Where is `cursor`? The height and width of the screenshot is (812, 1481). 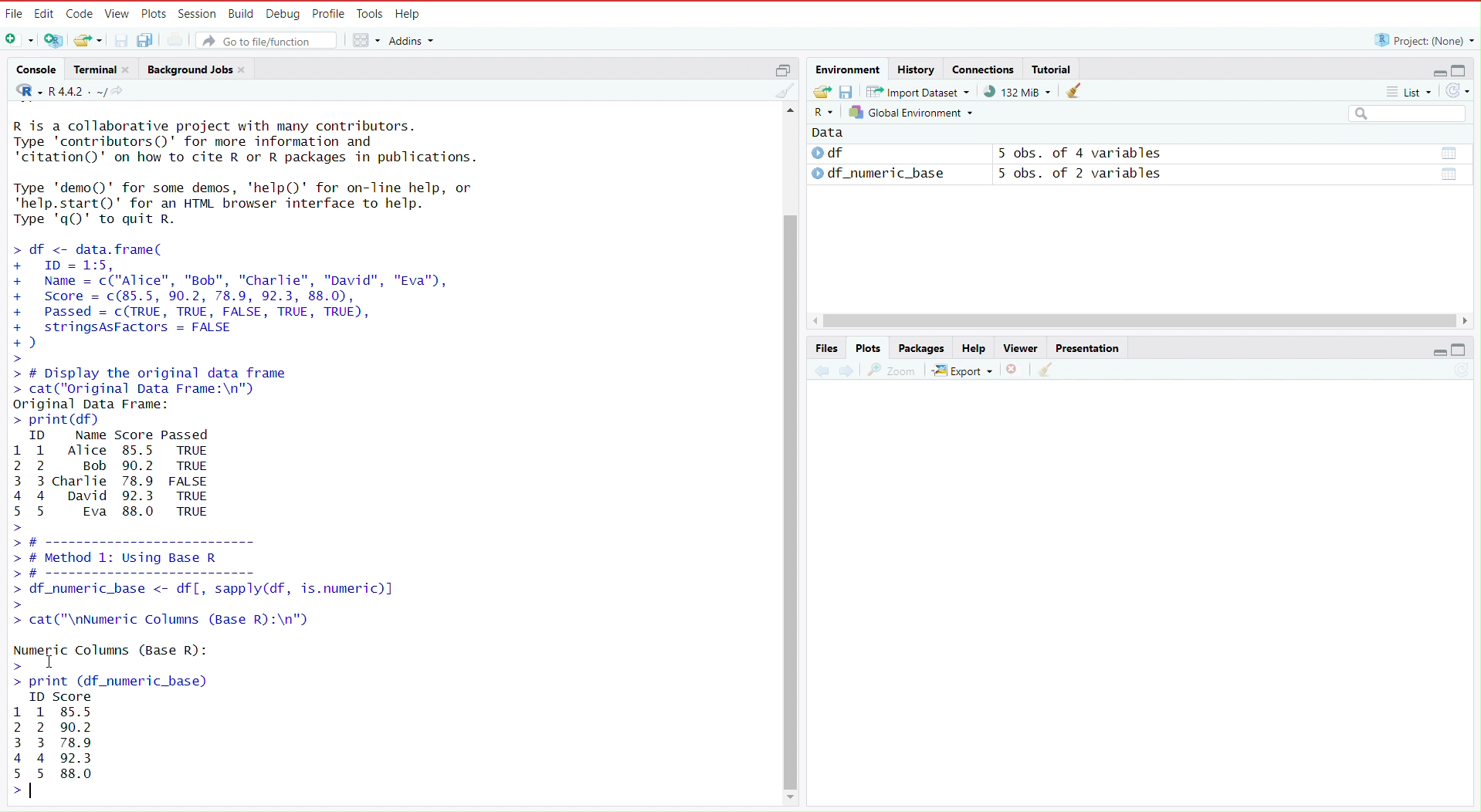
cursor is located at coordinates (51, 660).